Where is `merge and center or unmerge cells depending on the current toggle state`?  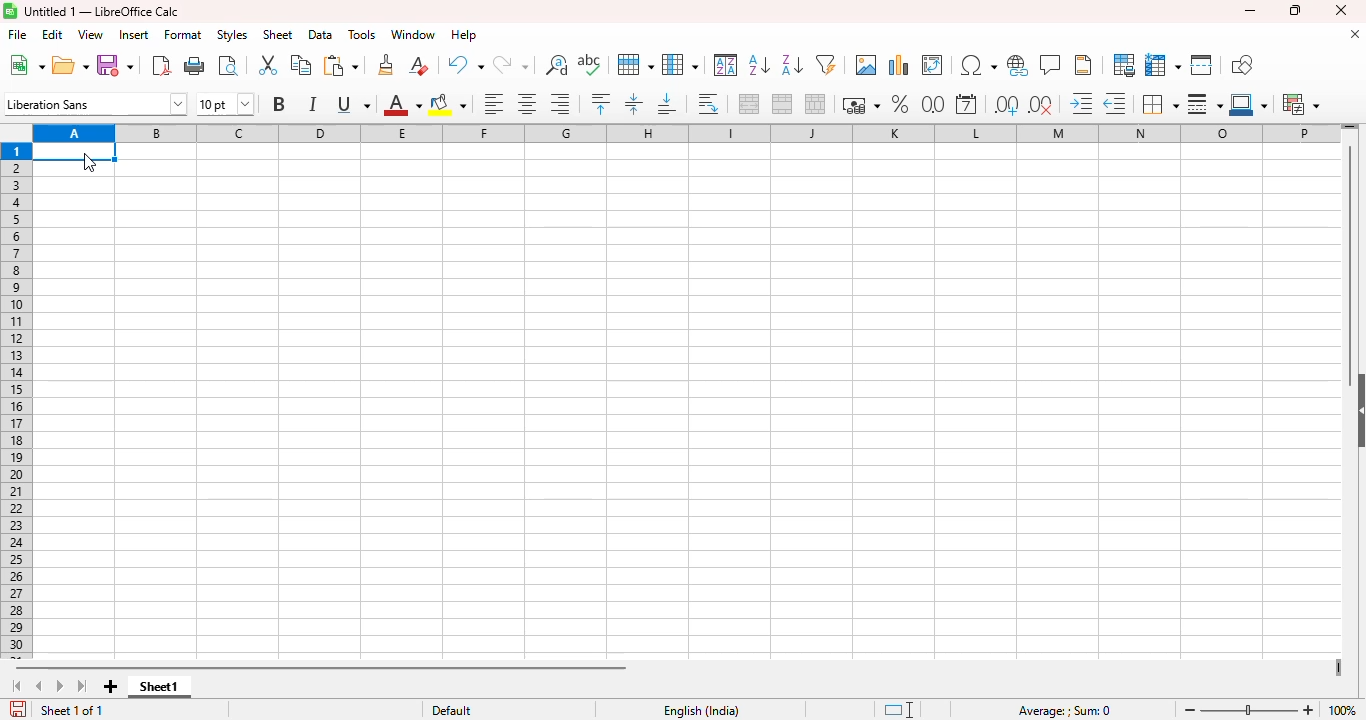
merge and center or unmerge cells depending on the current toggle state is located at coordinates (750, 103).